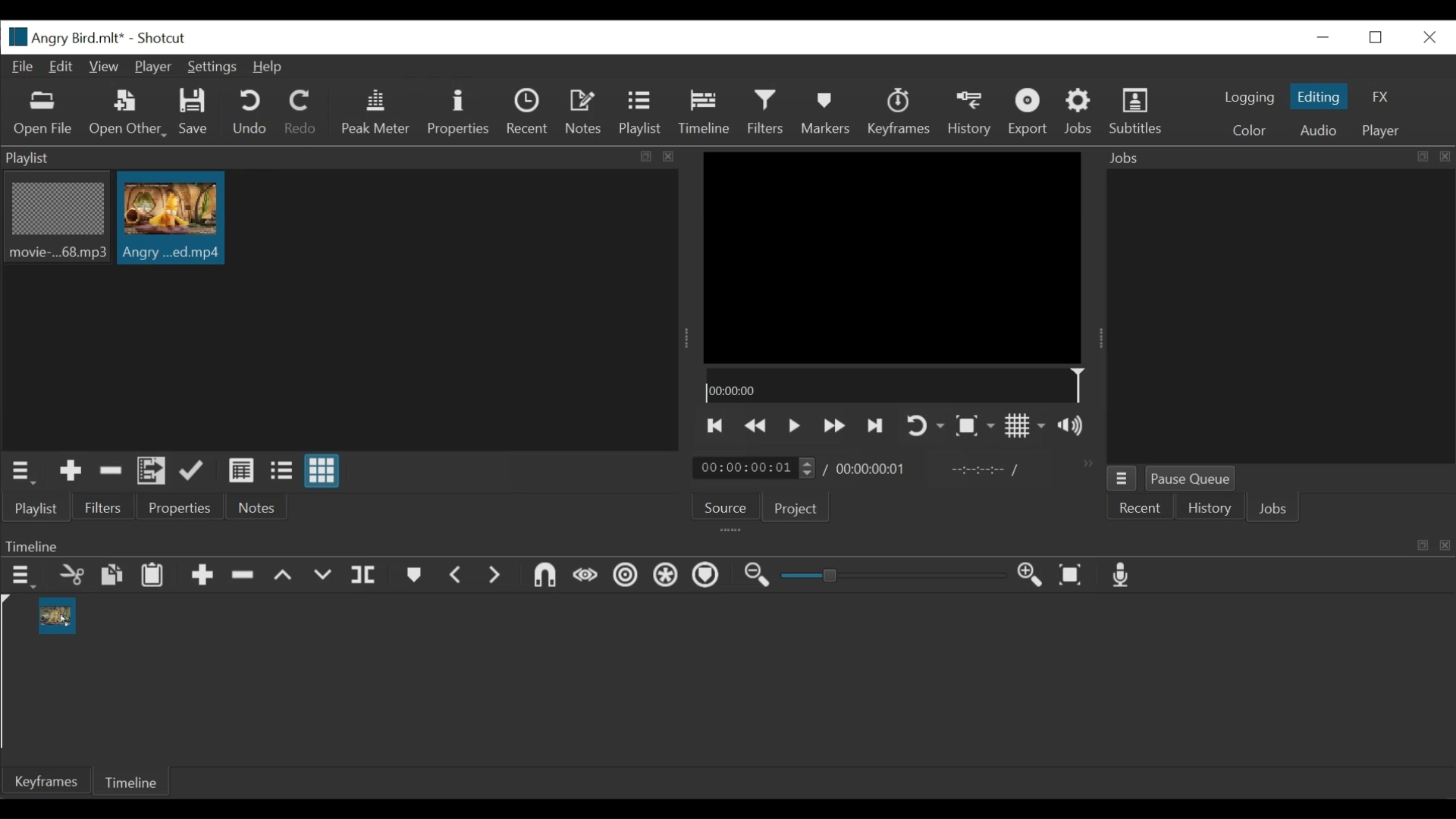 The height and width of the screenshot is (819, 1456). I want to click on Record audio, so click(1123, 576).